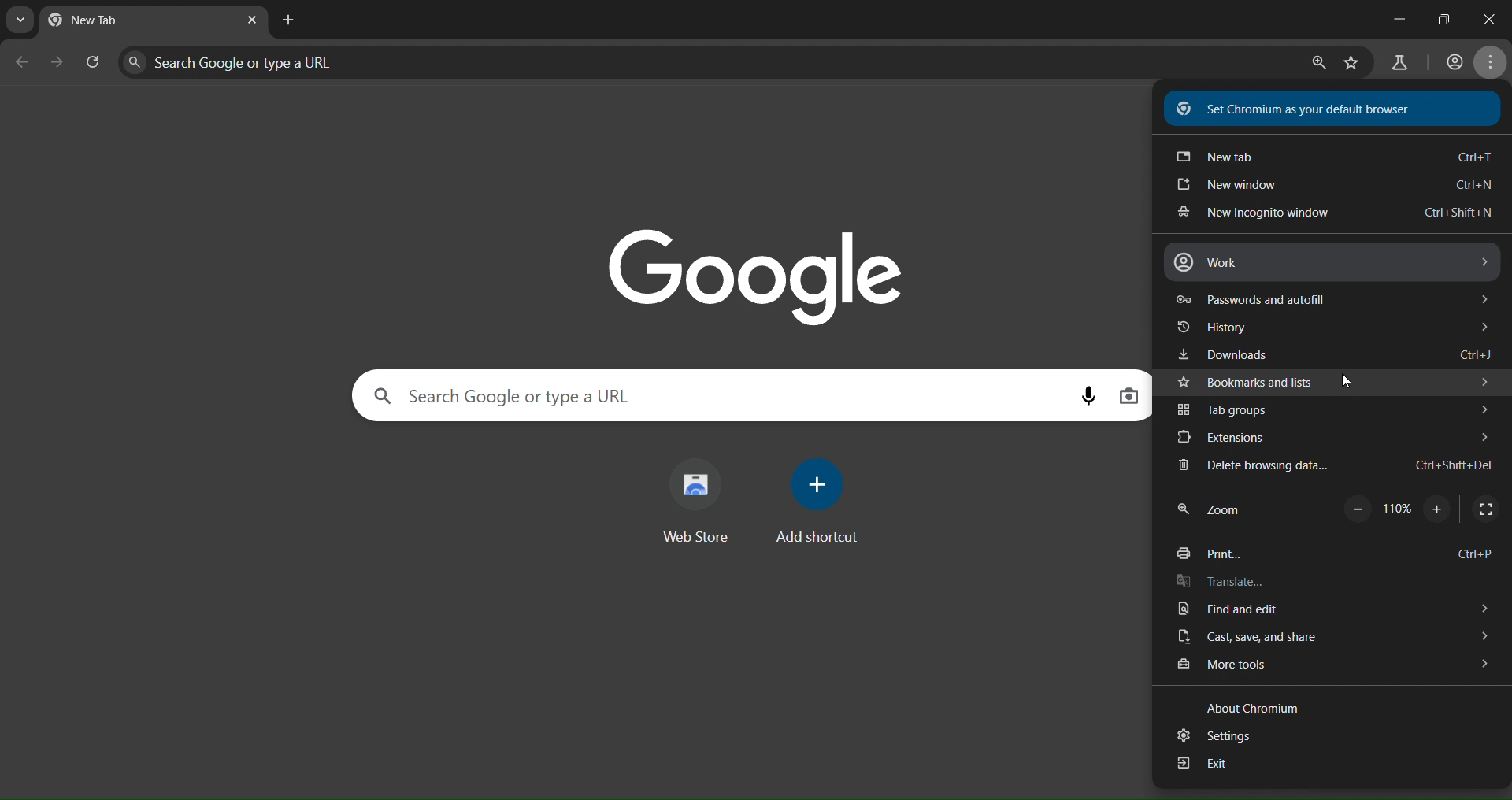 Image resolution: width=1512 pixels, height=800 pixels. I want to click on go back page, so click(25, 61).